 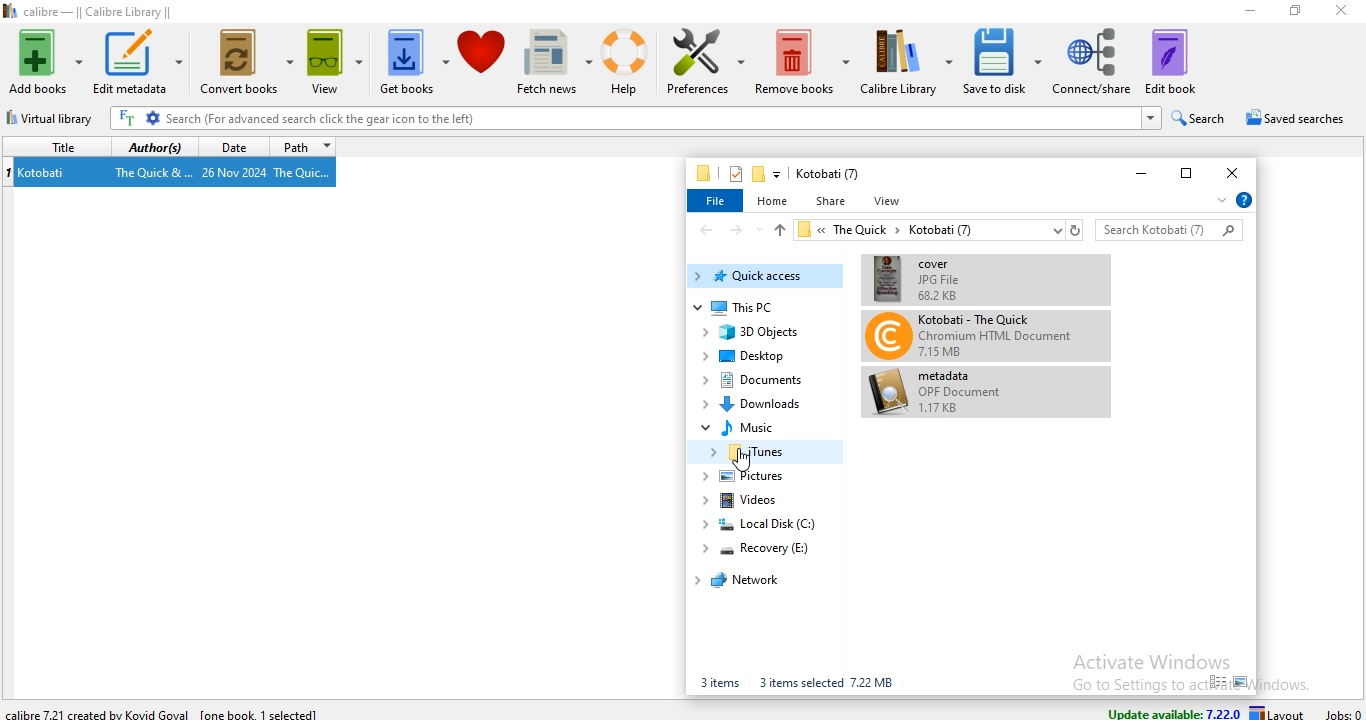 I want to click on customise quick access toolbar, so click(x=778, y=174).